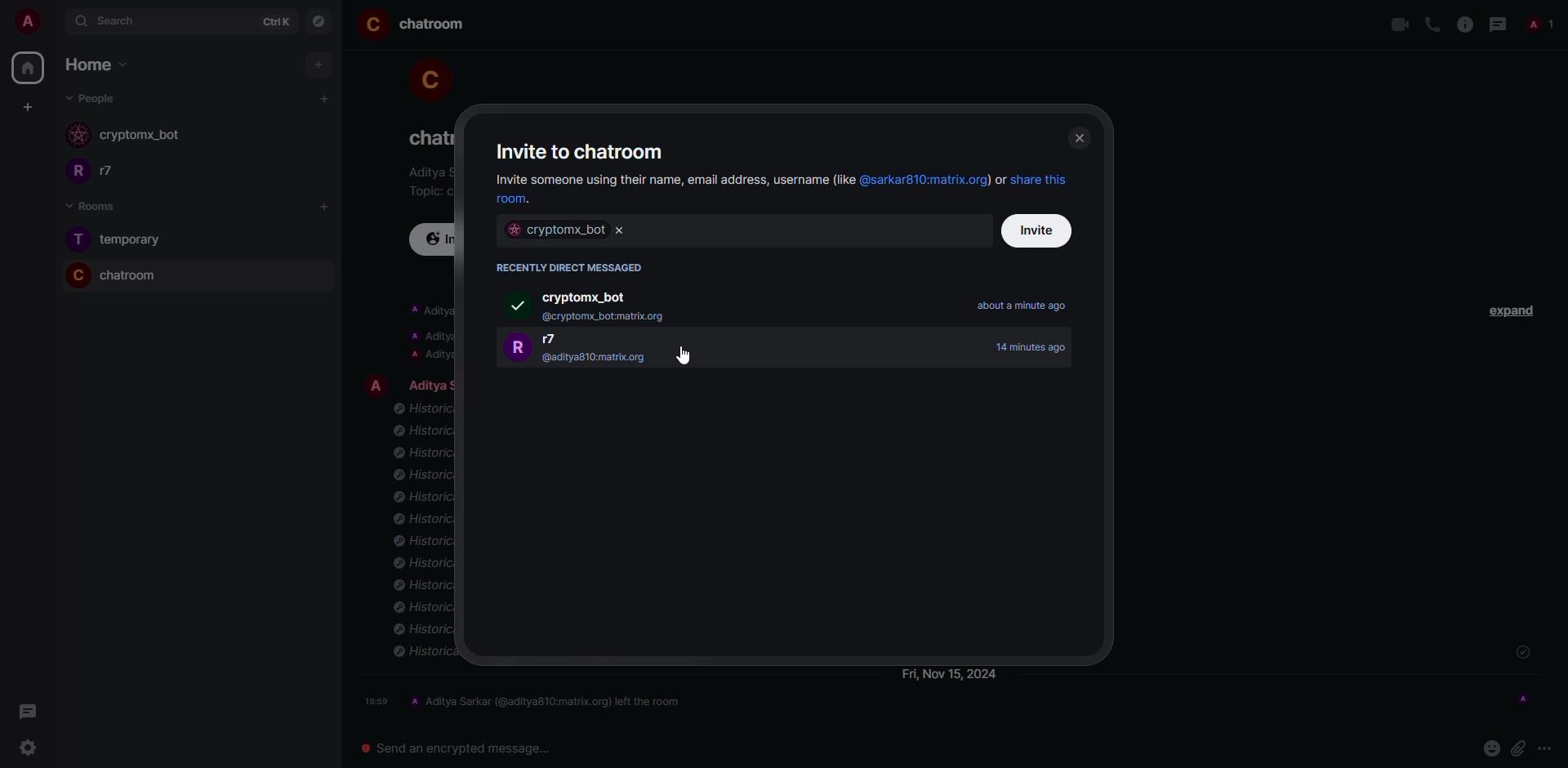 Image resolution: width=1568 pixels, height=768 pixels. Describe the element at coordinates (683, 355) in the screenshot. I see `cursor` at that location.